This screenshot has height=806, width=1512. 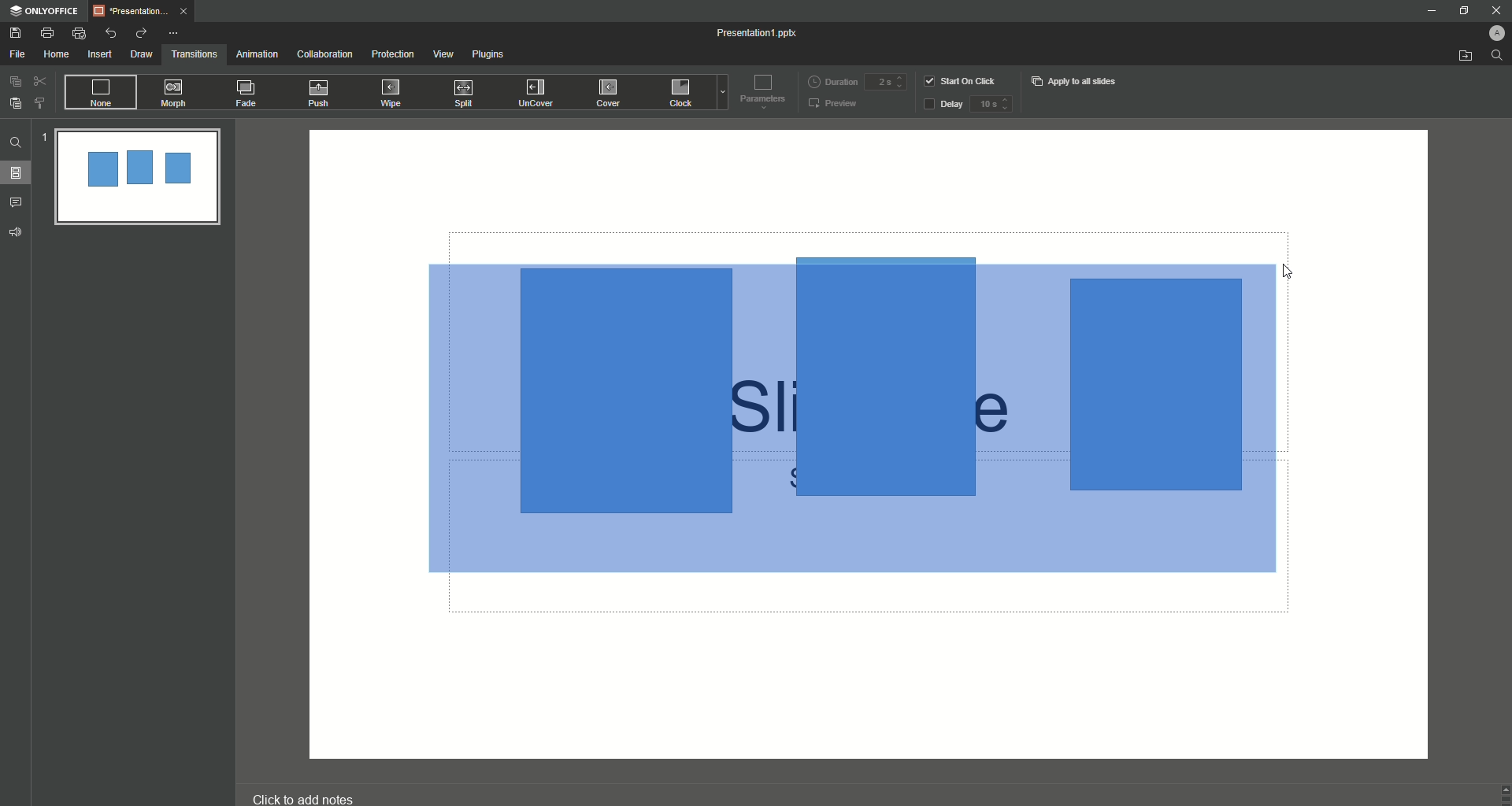 I want to click on Quick Print, so click(x=80, y=34).